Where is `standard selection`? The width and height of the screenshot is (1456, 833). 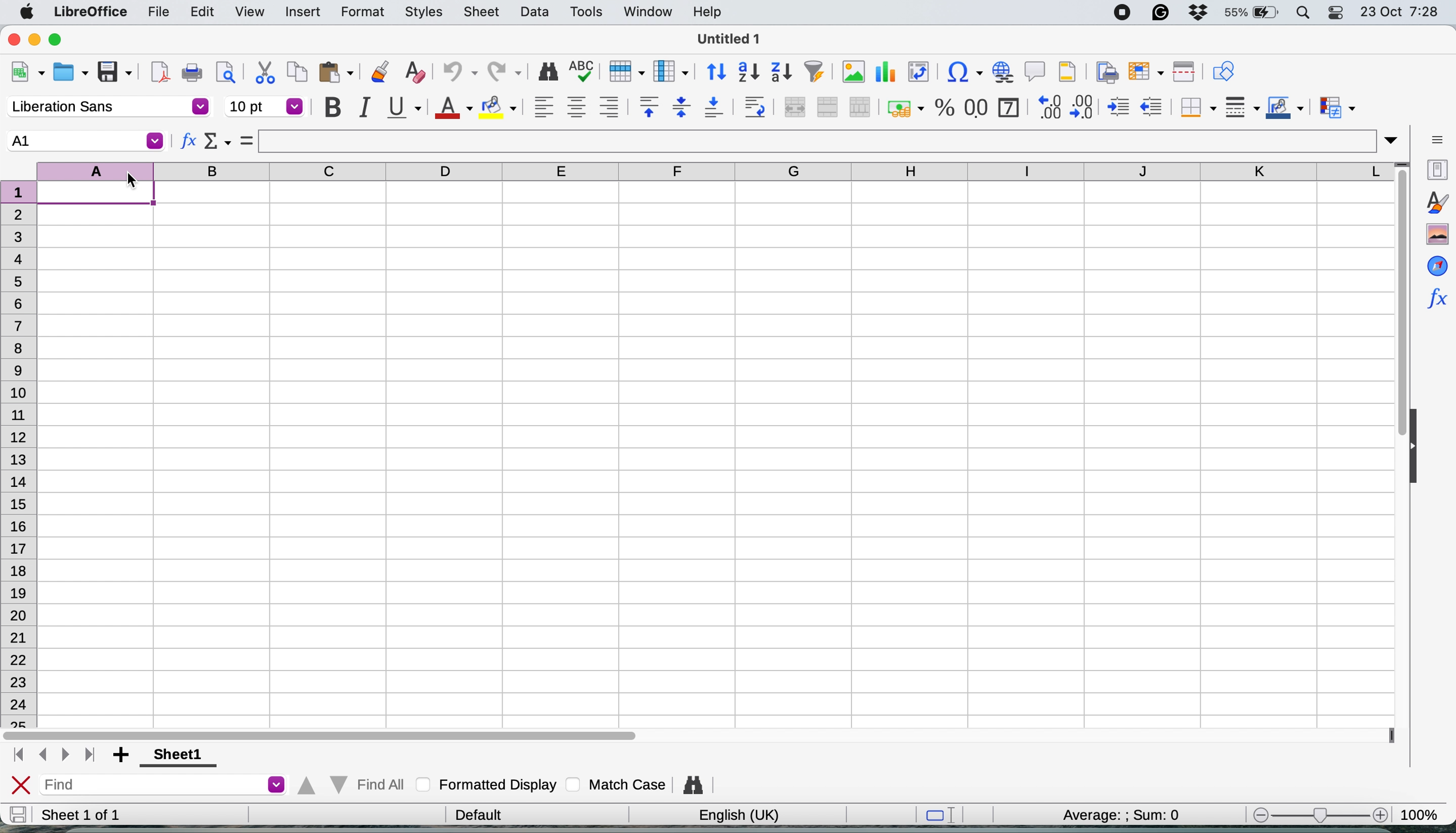 standard selection is located at coordinates (940, 815).